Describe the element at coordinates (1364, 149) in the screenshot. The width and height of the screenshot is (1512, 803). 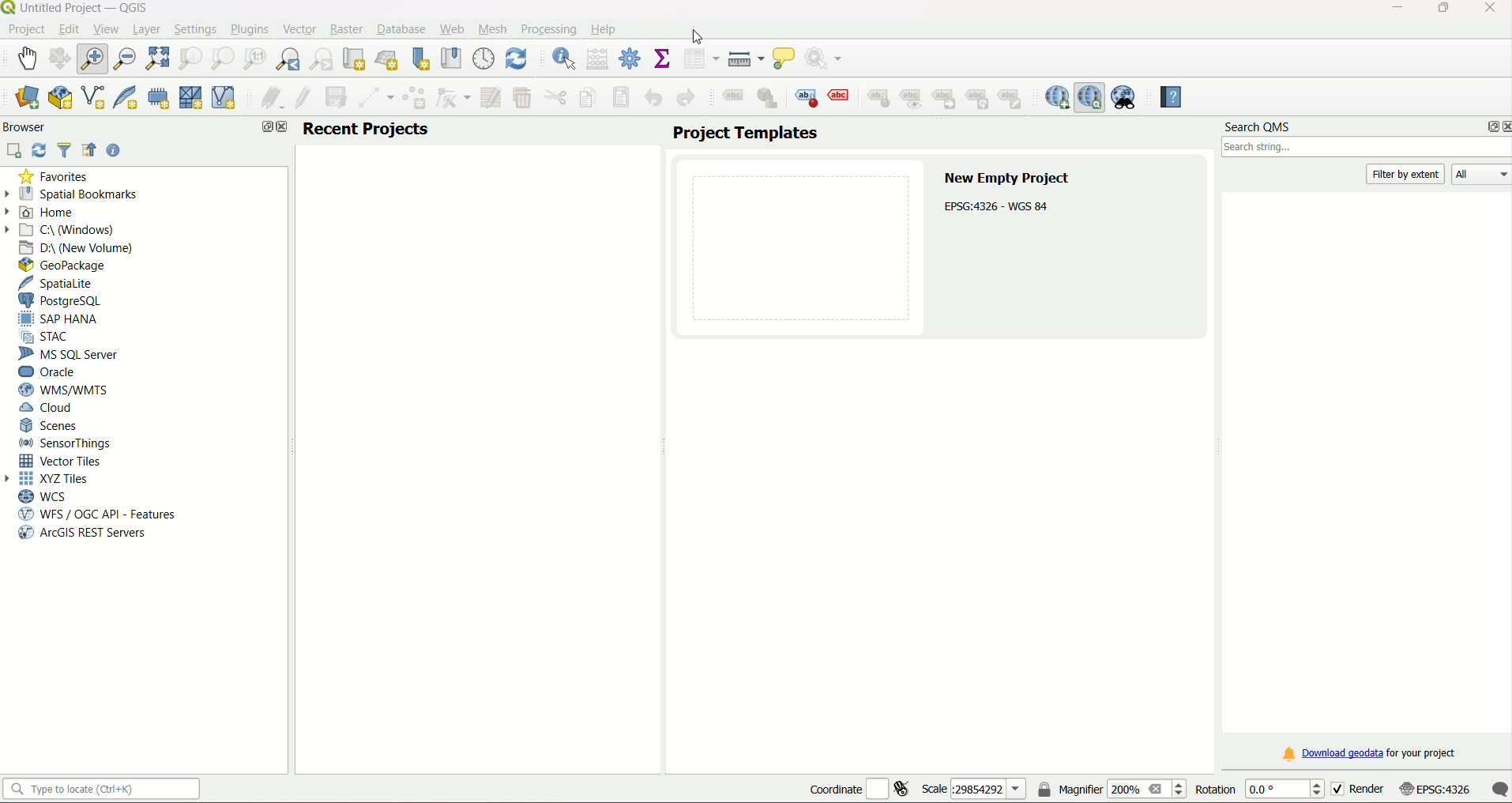
I see `search bar` at that location.